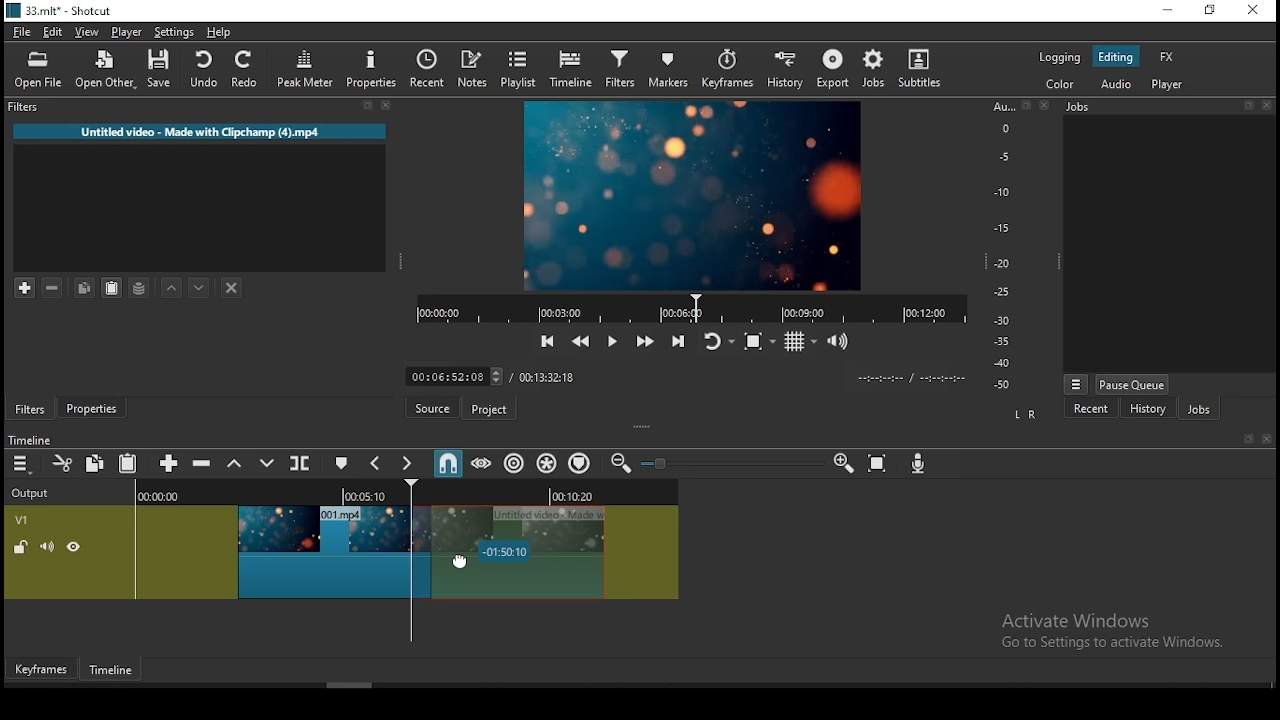 Image resolution: width=1280 pixels, height=720 pixels. Describe the element at coordinates (142, 287) in the screenshot. I see `save filter sets` at that location.